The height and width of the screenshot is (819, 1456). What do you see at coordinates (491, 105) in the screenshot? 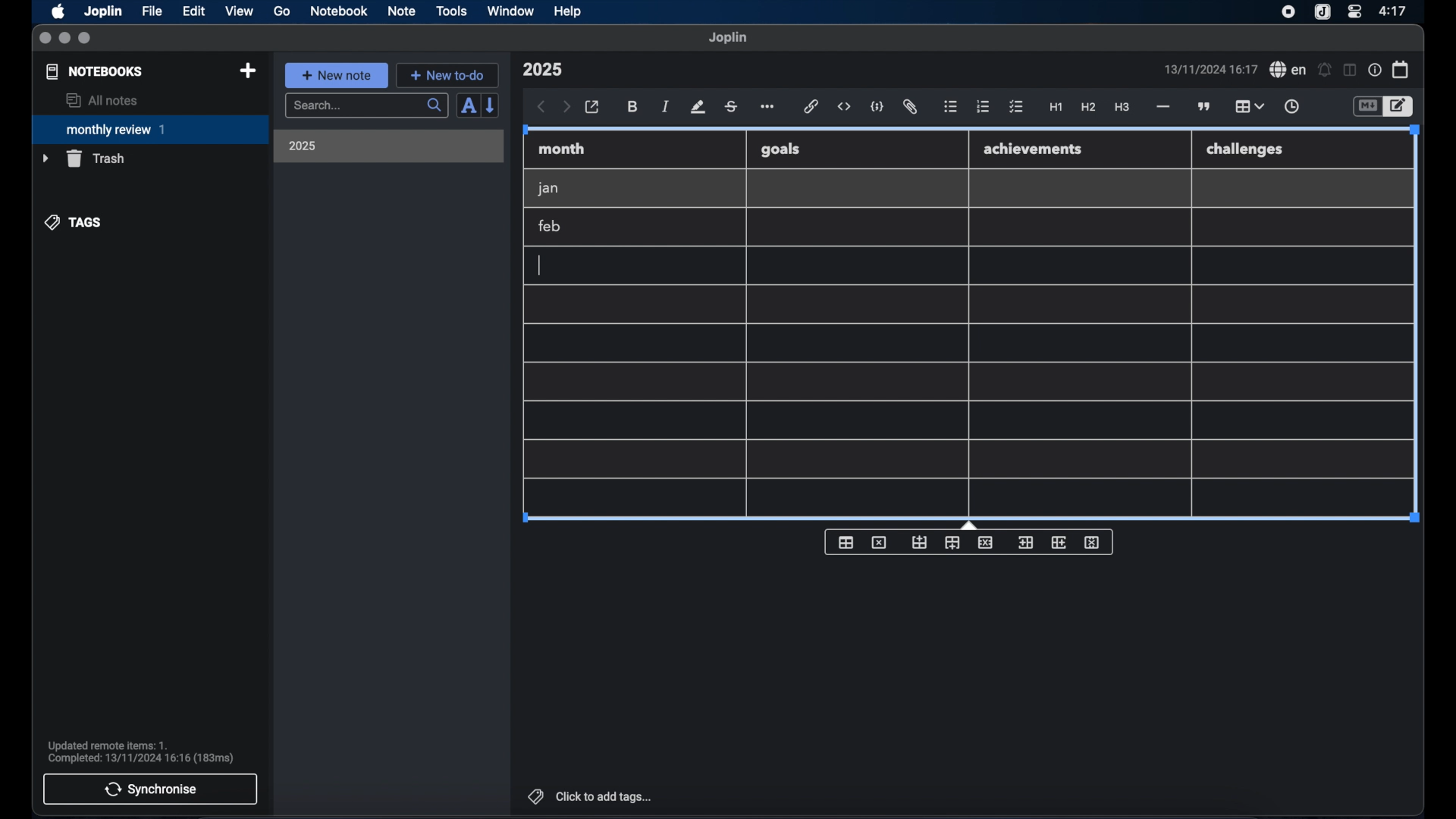
I see `reverse sort order` at bounding box center [491, 105].